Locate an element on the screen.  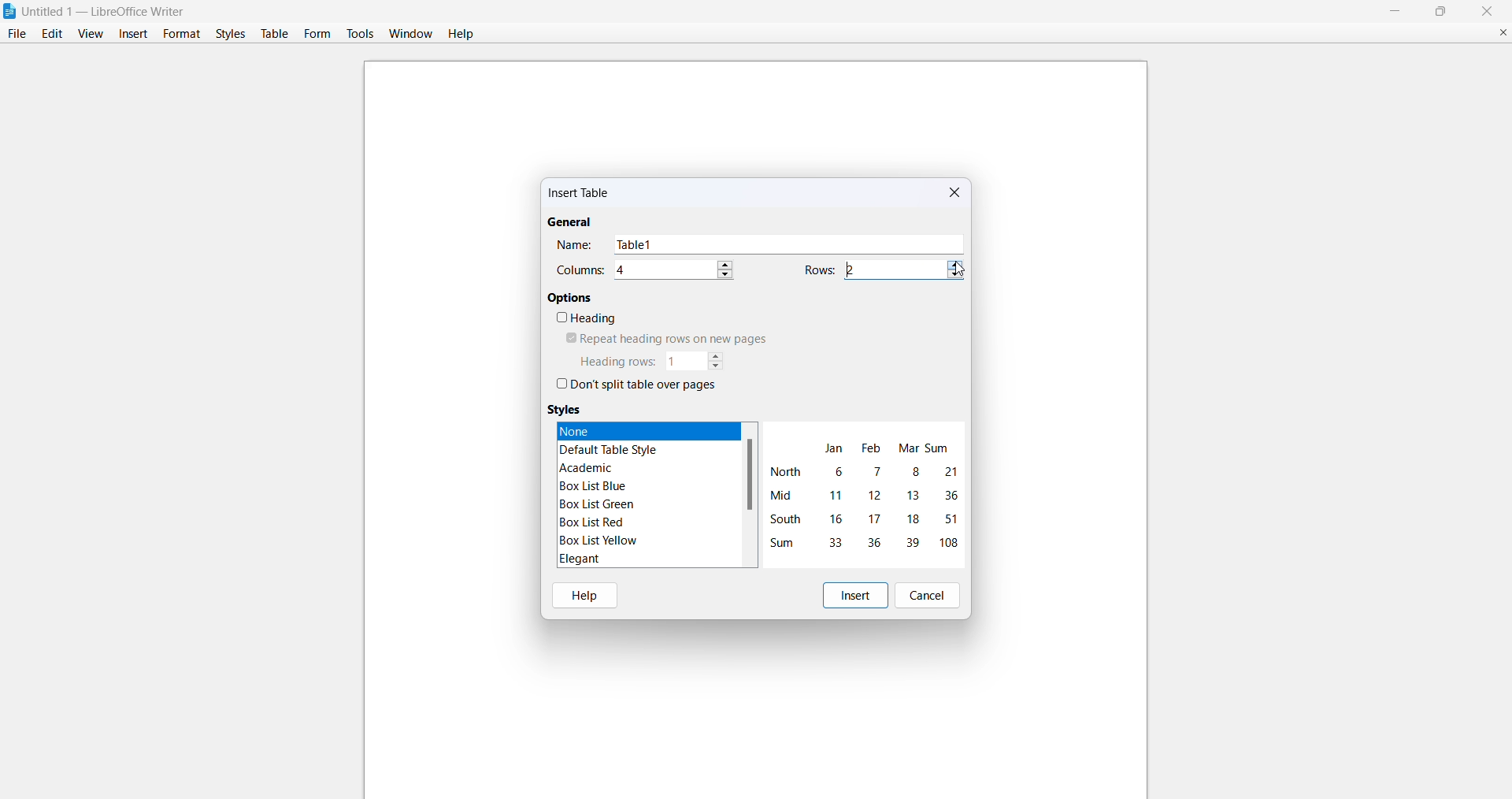
rows is located at coordinates (820, 269).